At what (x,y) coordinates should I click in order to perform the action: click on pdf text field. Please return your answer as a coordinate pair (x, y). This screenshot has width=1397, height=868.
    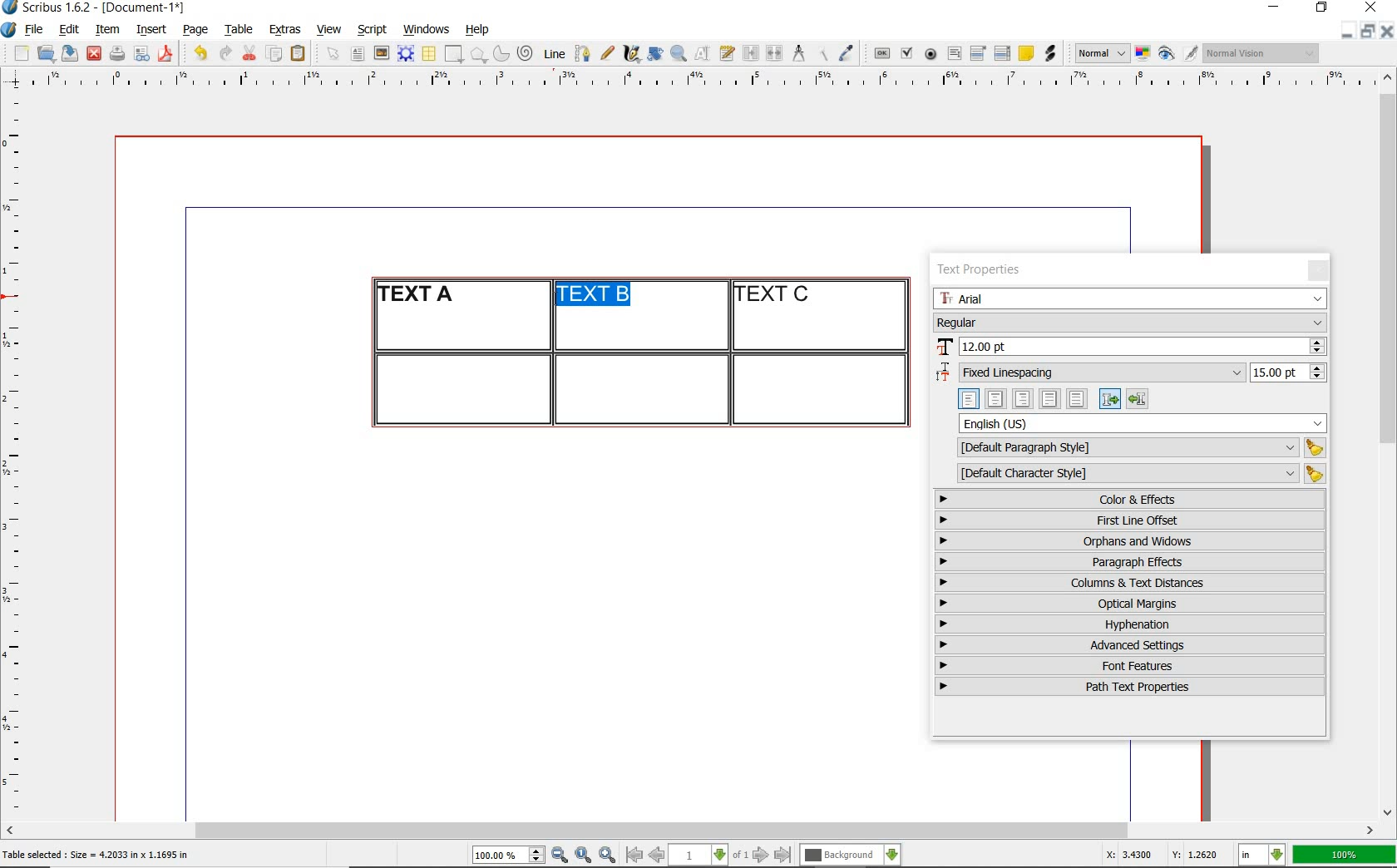
    Looking at the image, I should click on (954, 55).